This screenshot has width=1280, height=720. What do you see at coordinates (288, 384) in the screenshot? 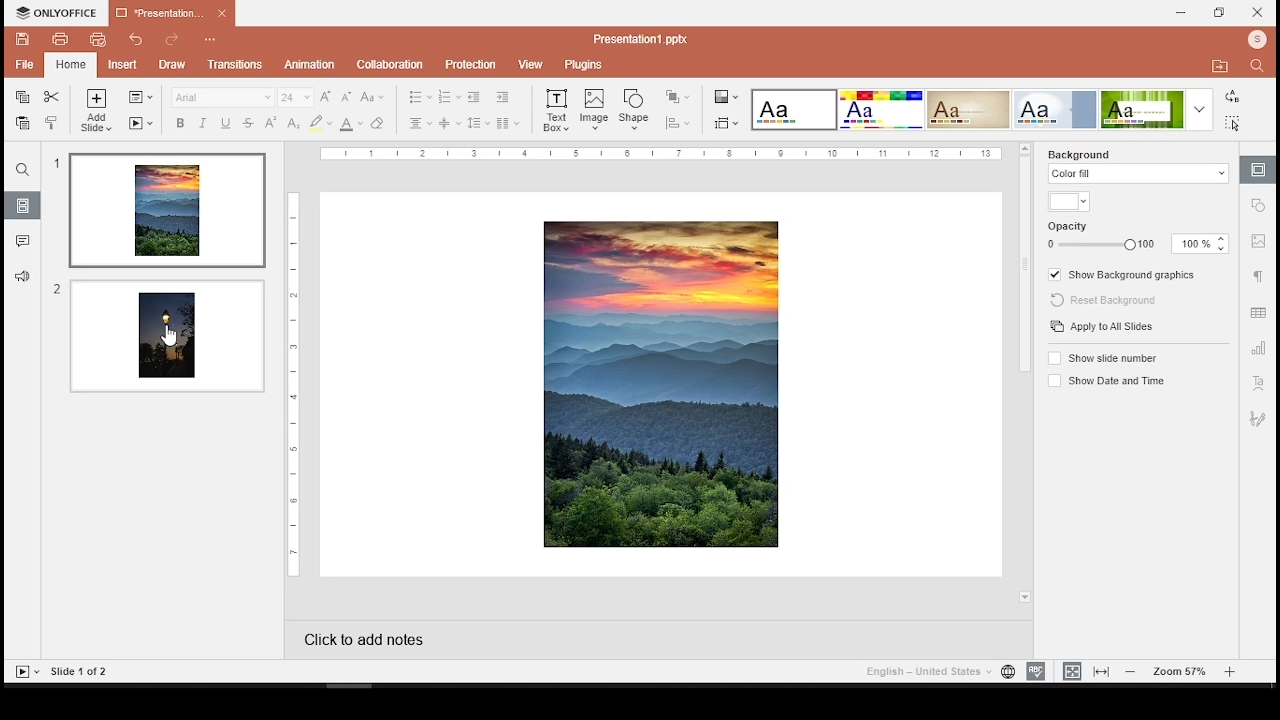
I see `ruler` at bounding box center [288, 384].